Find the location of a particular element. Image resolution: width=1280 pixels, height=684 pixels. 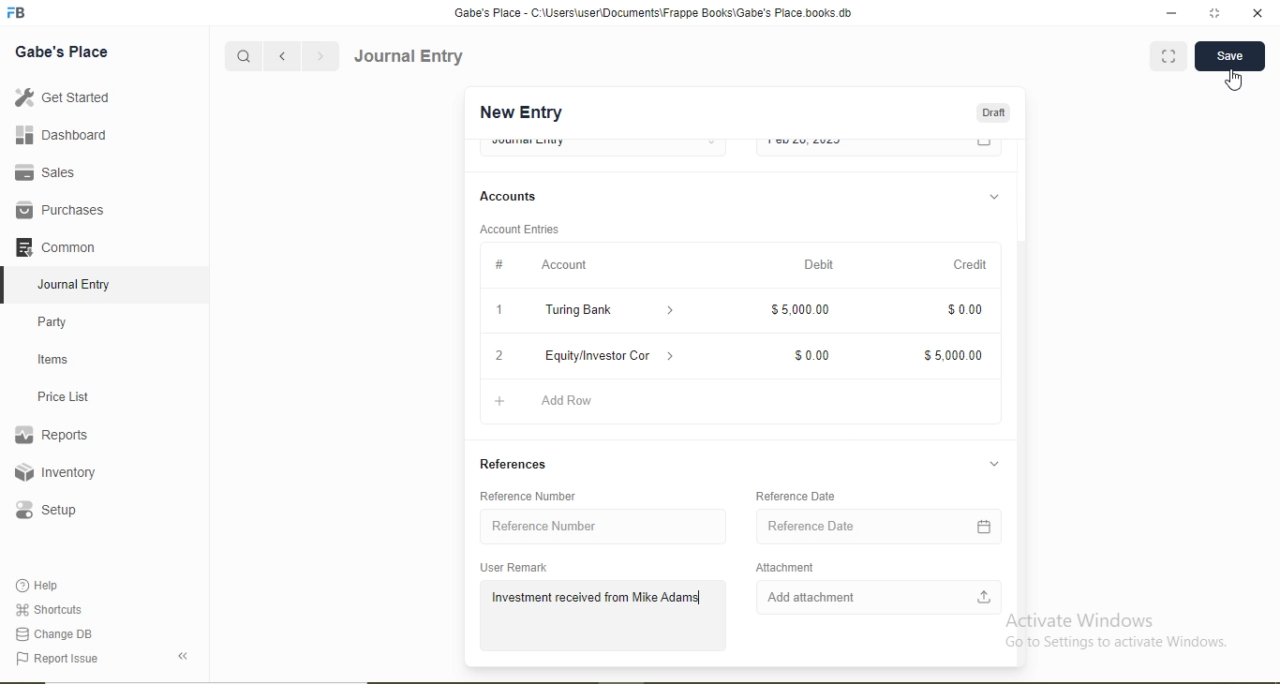

Logo is located at coordinates (17, 13).